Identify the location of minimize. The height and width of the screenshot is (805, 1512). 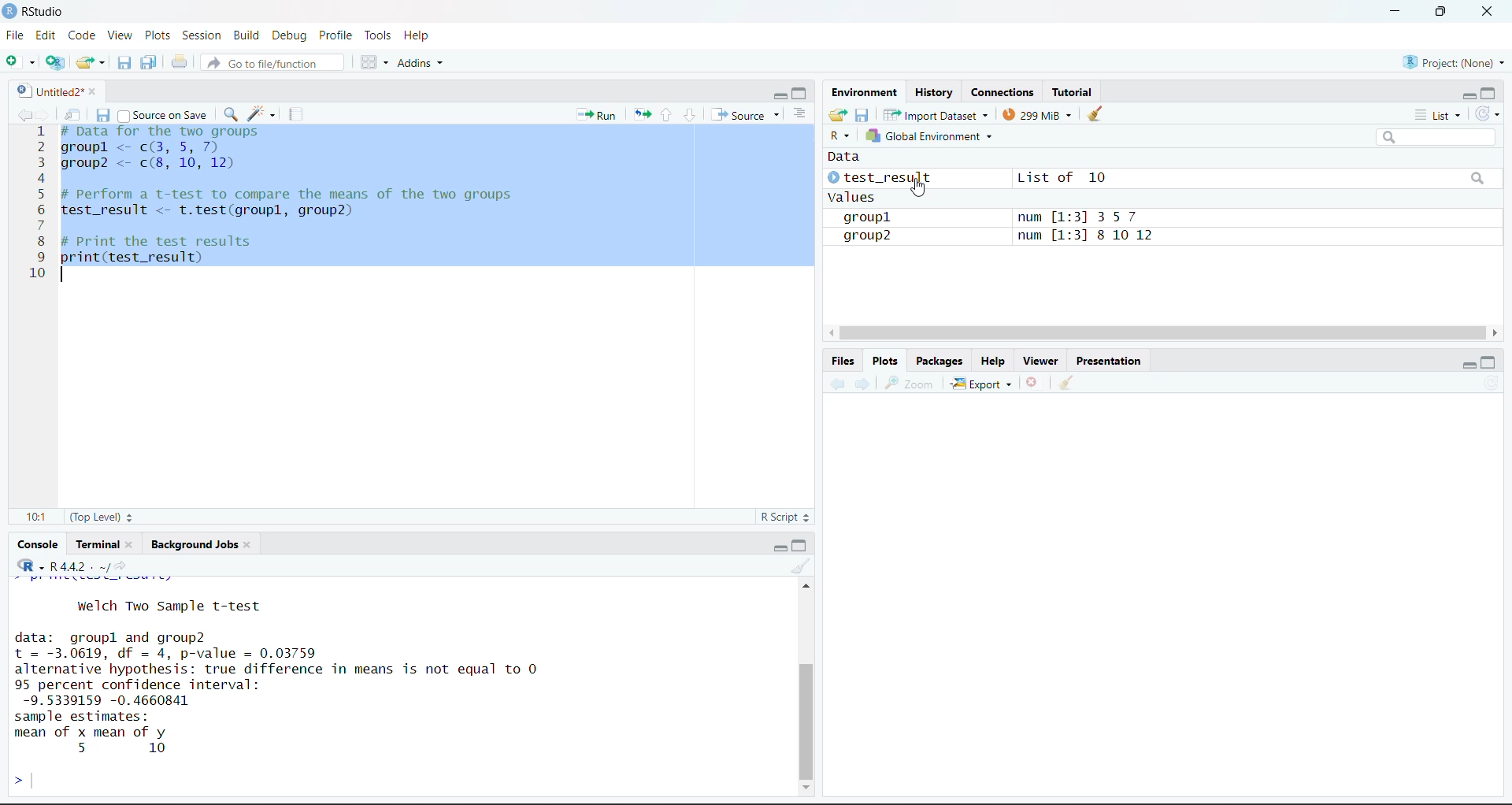
(1469, 96).